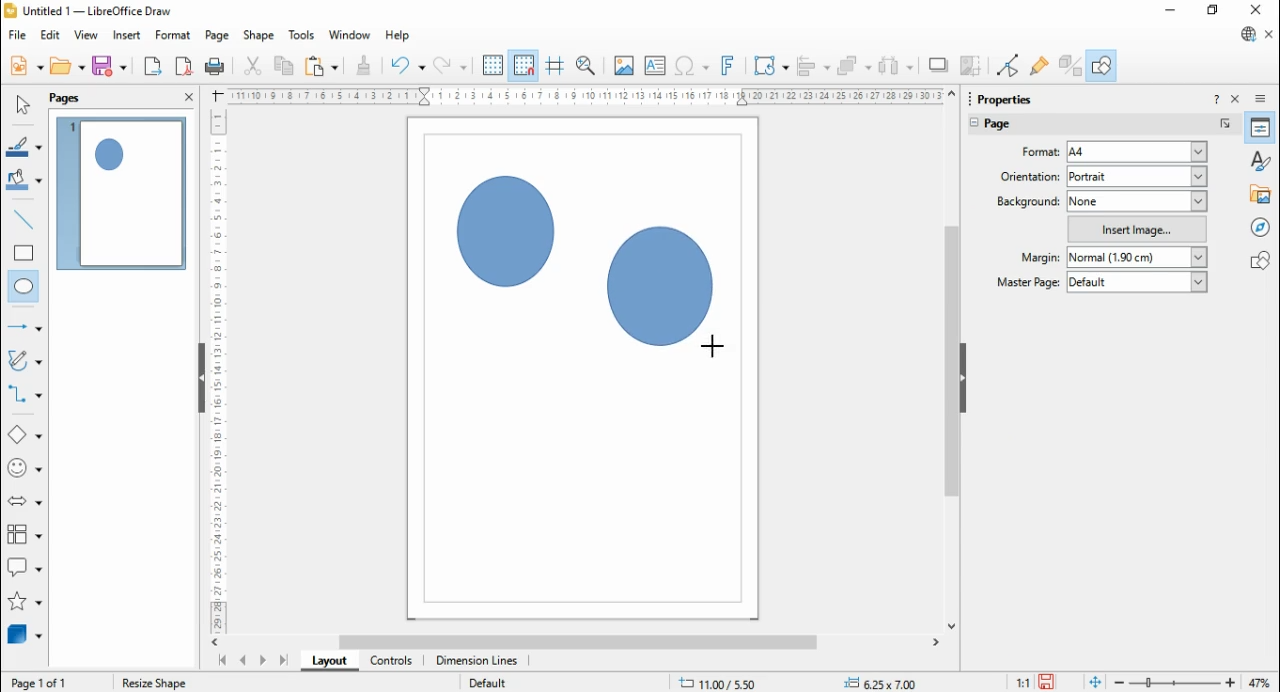  I want to click on close panel, so click(189, 96).